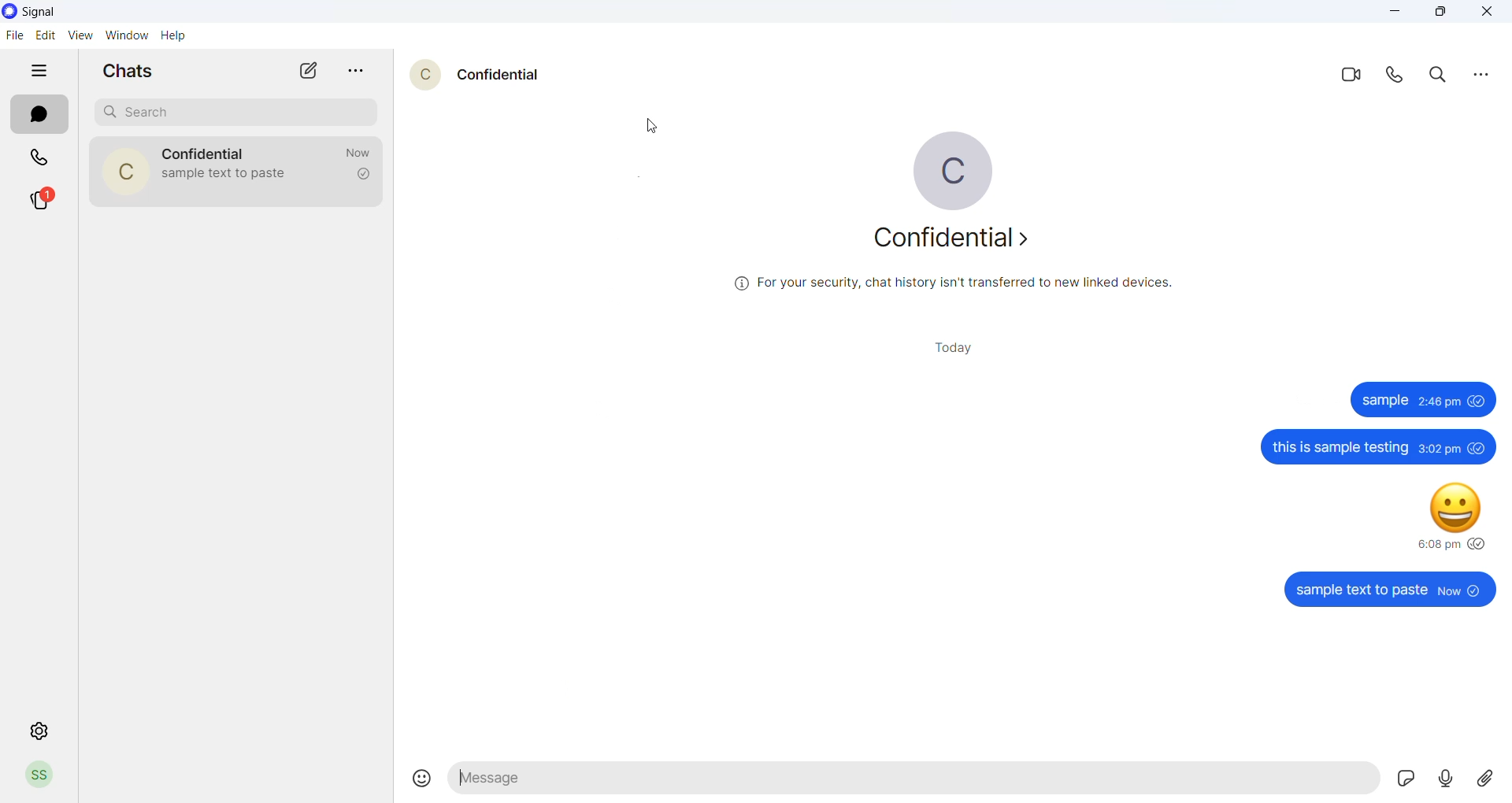 This screenshot has height=803, width=1512. What do you see at coordinates (352, 147) in the screenshot?
I see `last message time` at bounding box center [352, 147].